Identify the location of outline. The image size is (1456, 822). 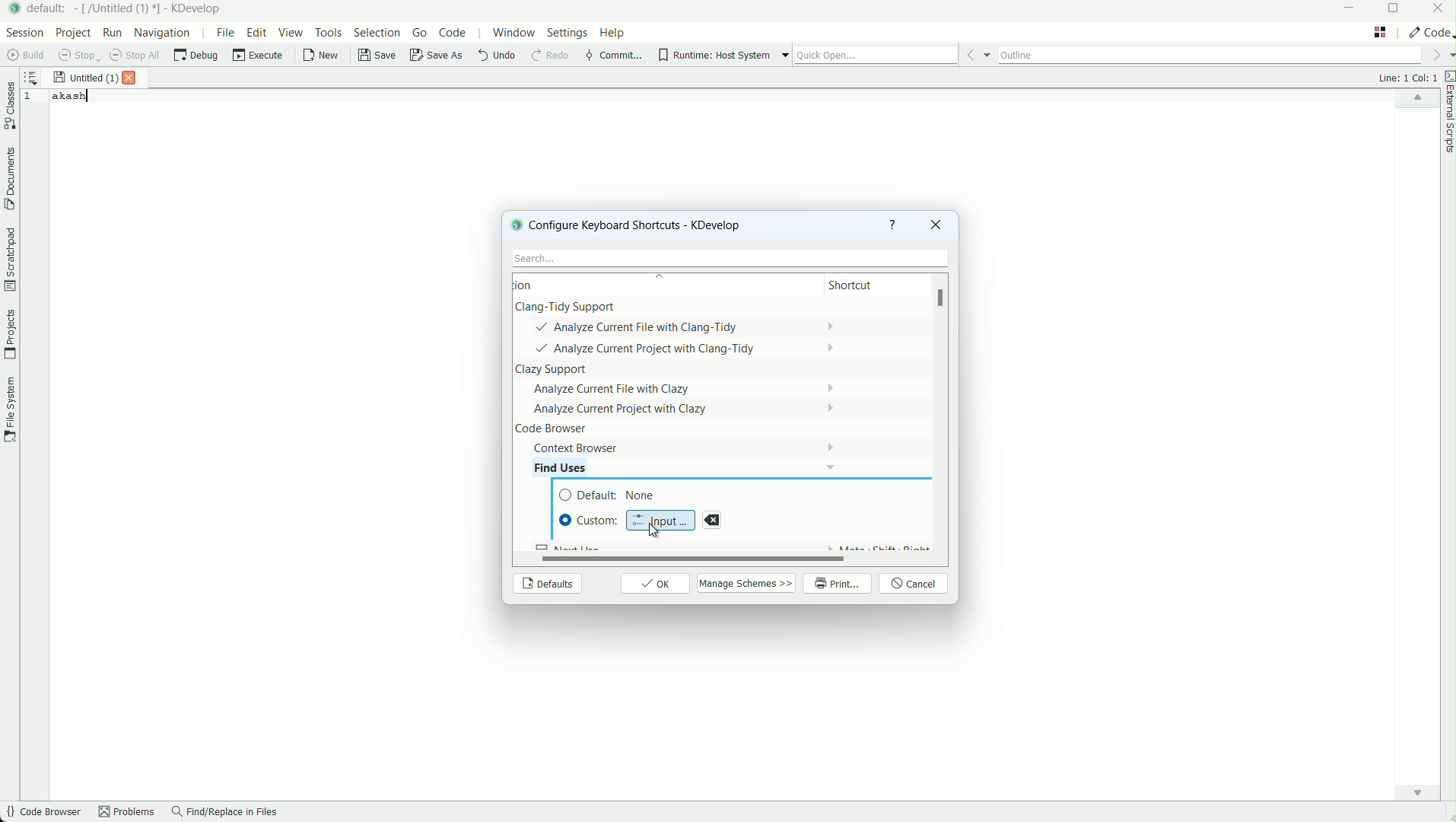
(1210, 53).